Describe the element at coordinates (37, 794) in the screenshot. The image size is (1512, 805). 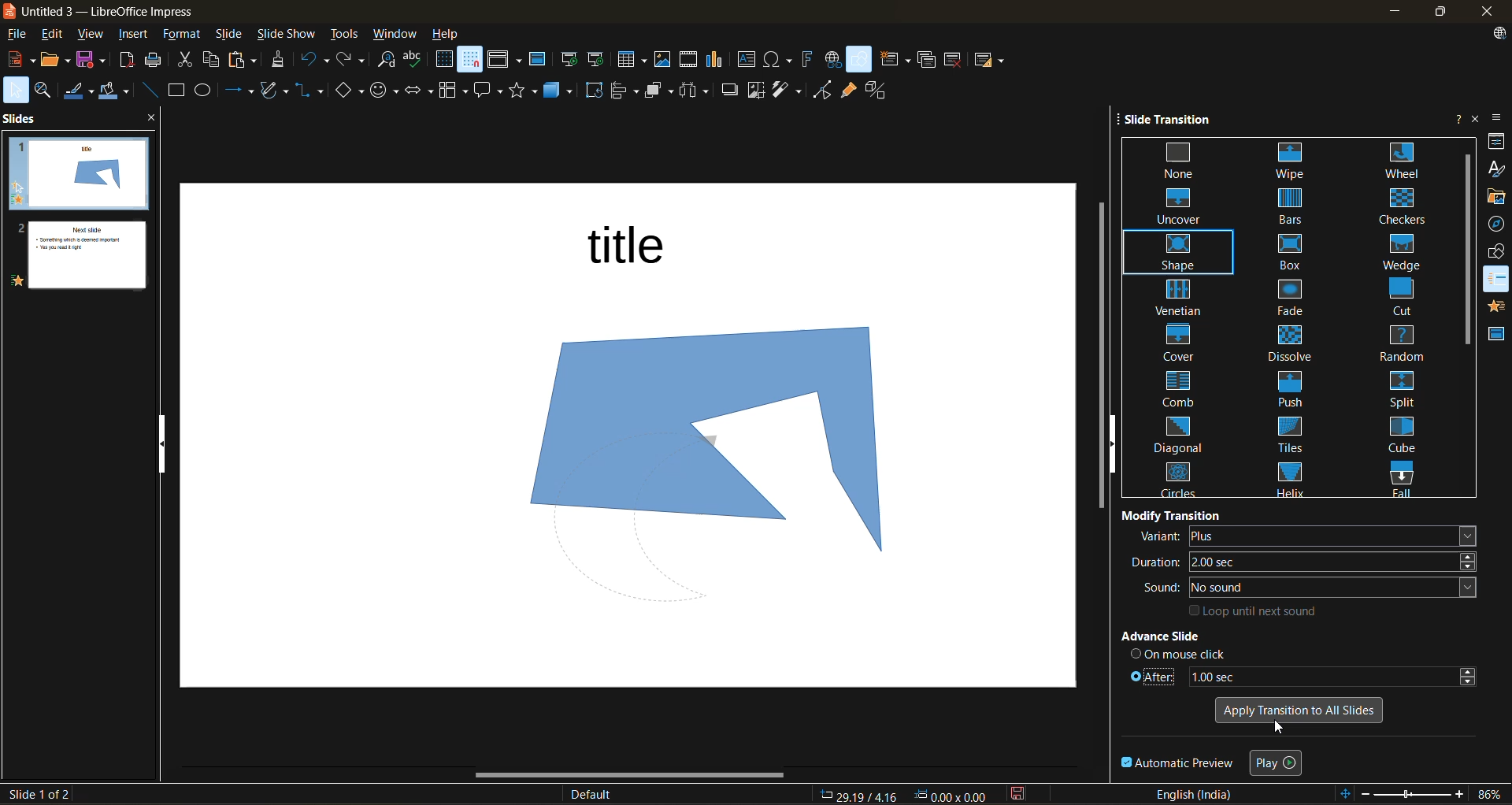
I see `slide count` at that location.